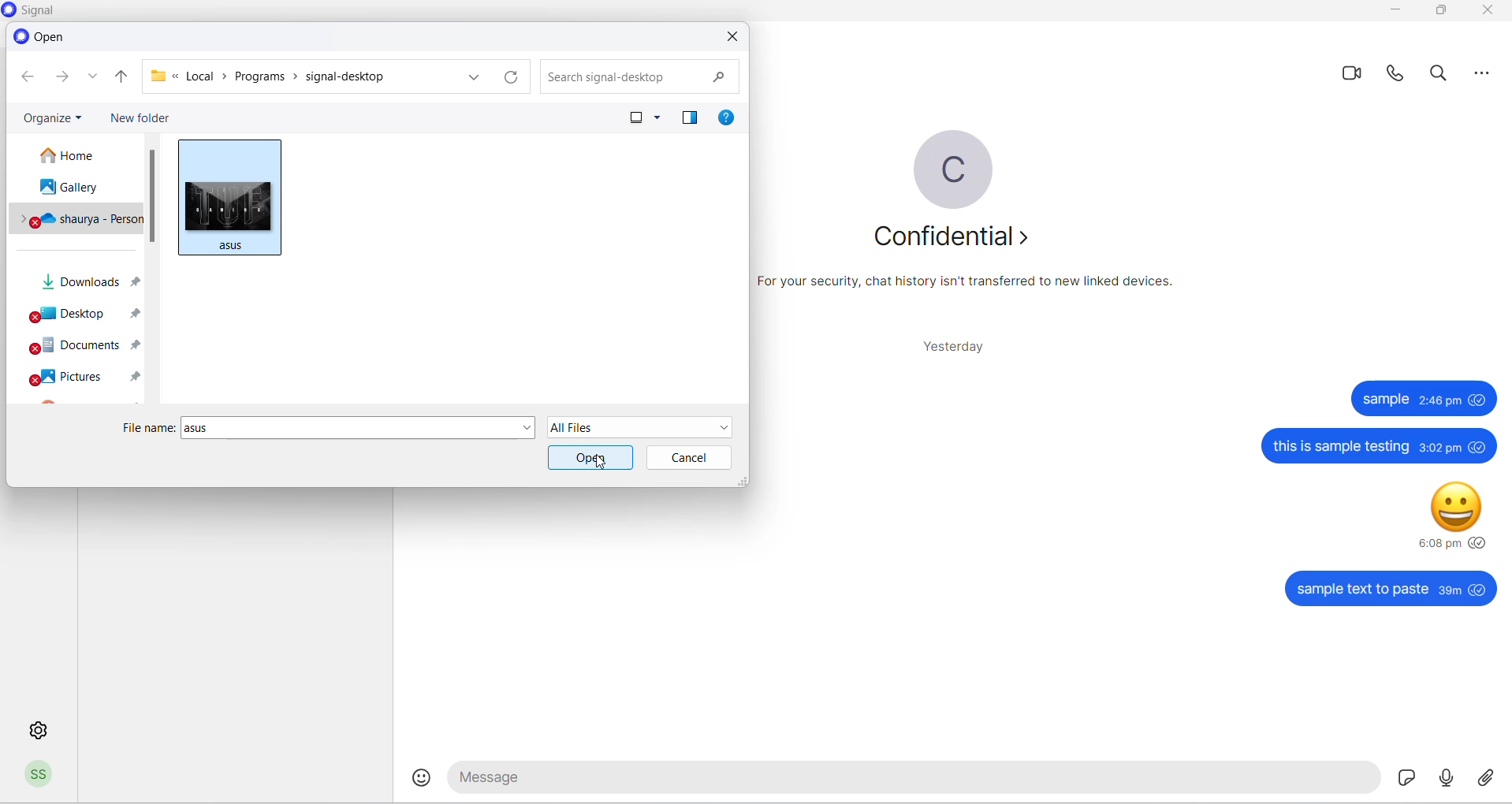 This screenshot has width=1512, height=804. What do you see at coordinates (592, 457) in the screenshot?
I see `open` at bounding box center [592, 457].